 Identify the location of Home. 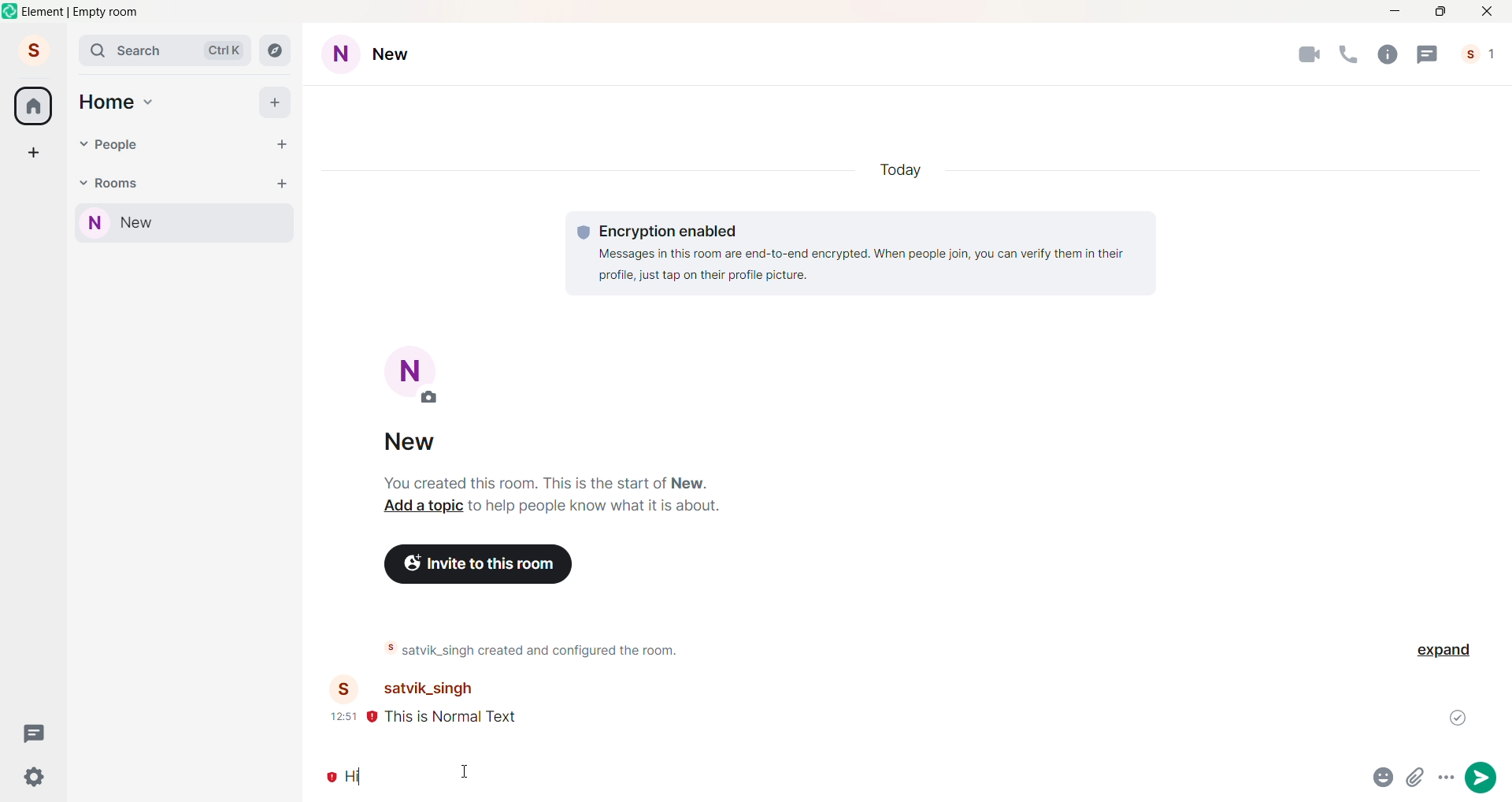
(33, 106).